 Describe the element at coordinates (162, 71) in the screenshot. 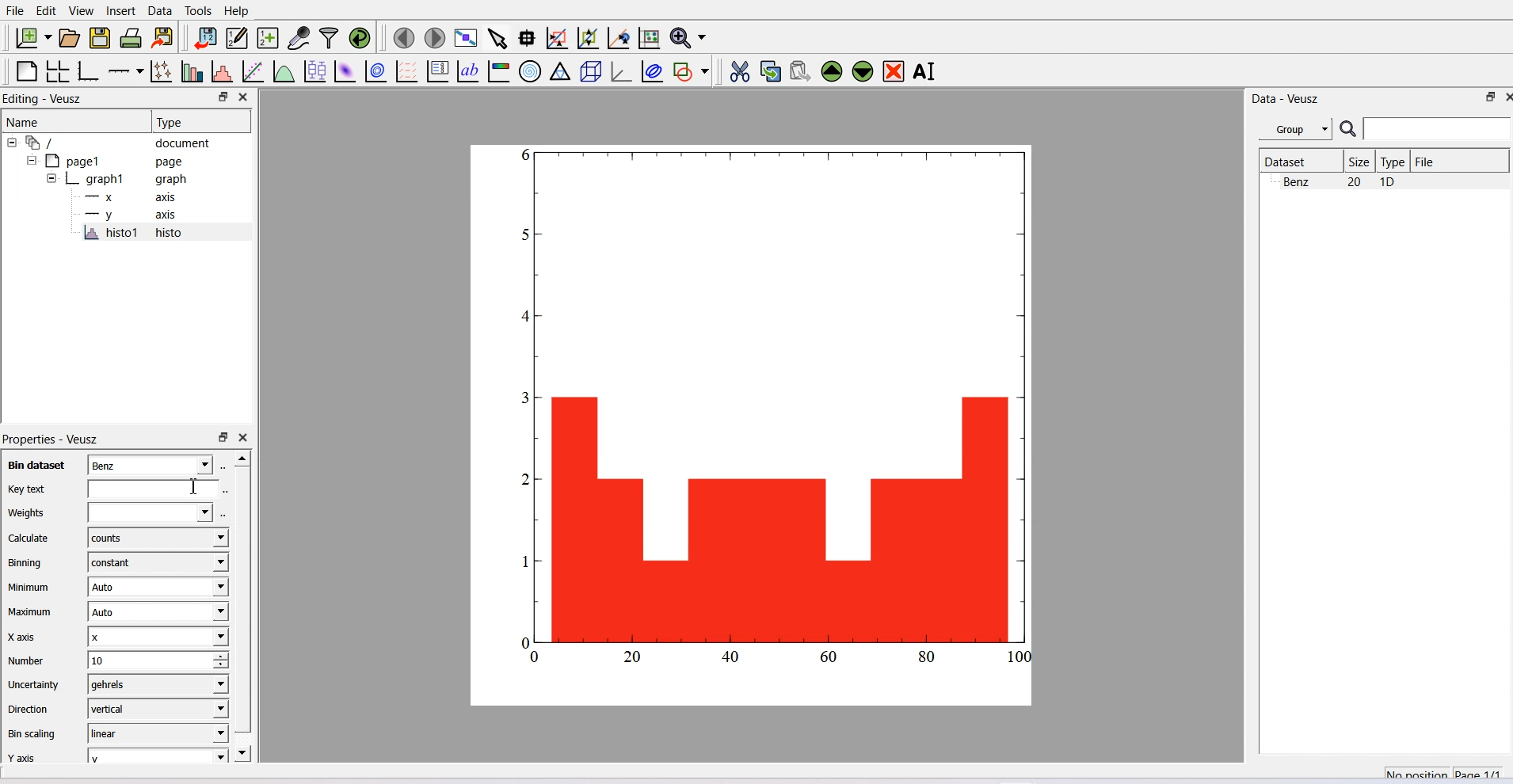

I see `Plot points with lines and errorbars` at that location.